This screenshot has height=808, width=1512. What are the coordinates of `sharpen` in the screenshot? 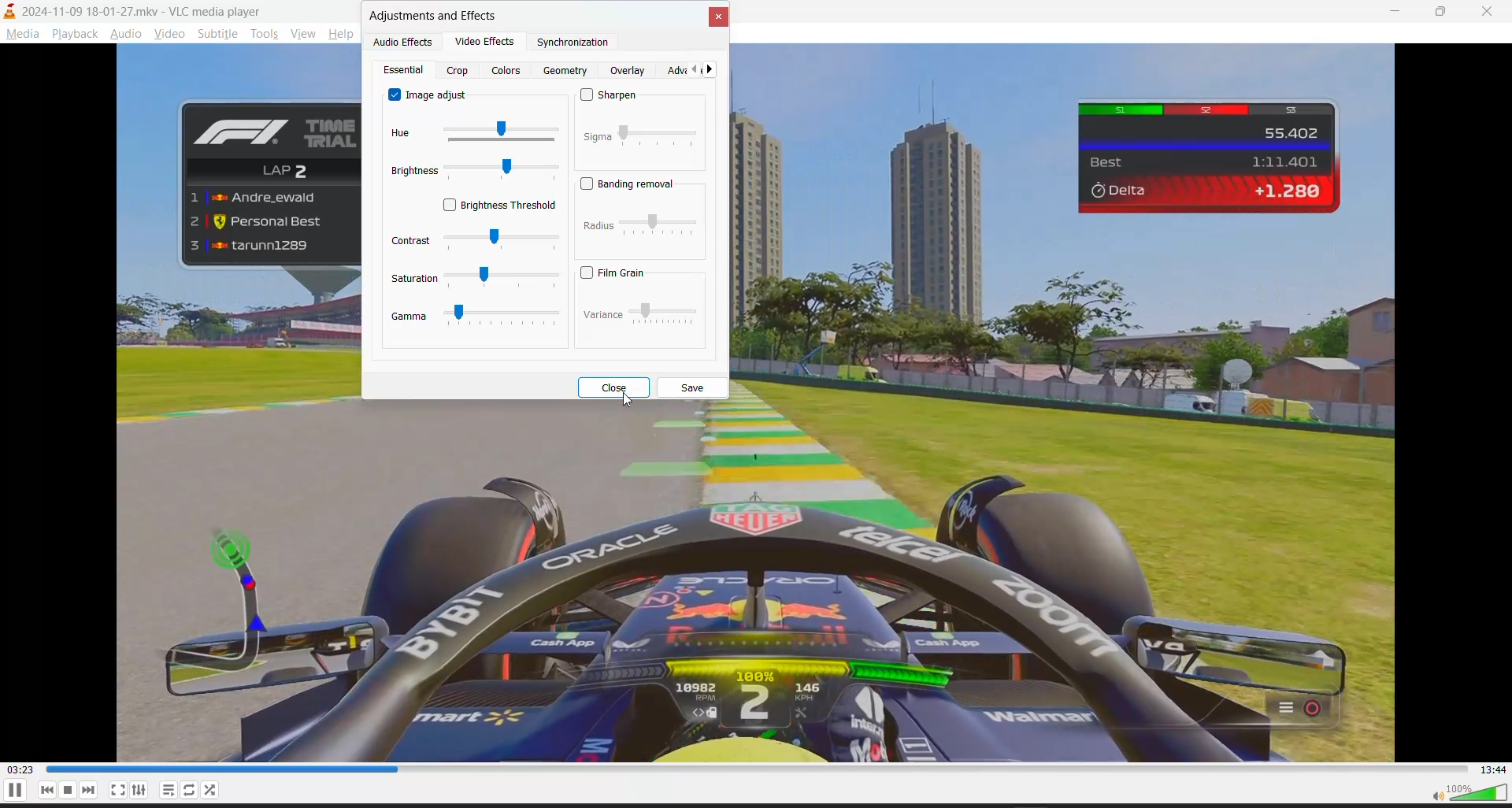 It's located at (613, 96).